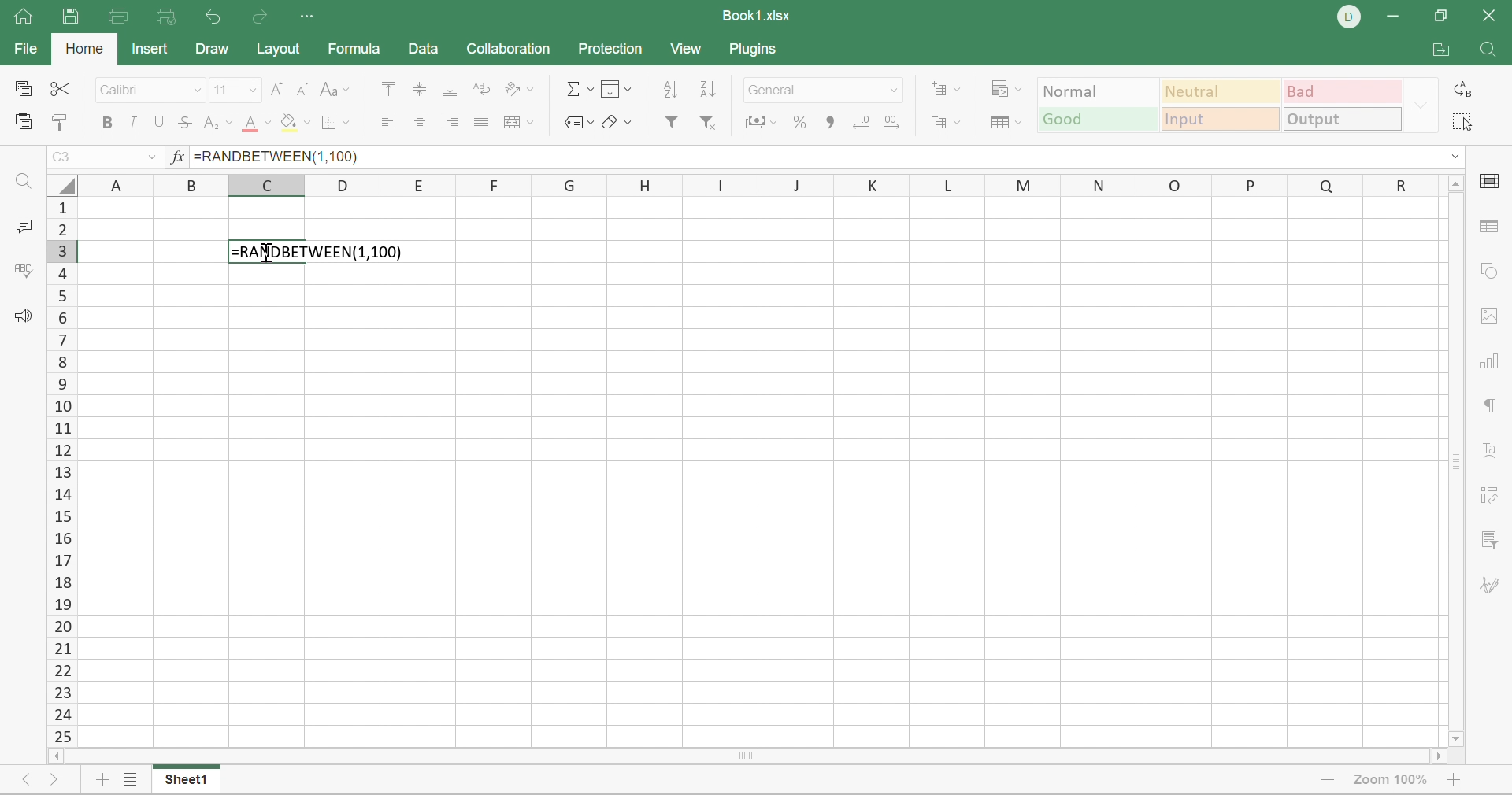  I want to click on Zoom In, so click(1459, 776).